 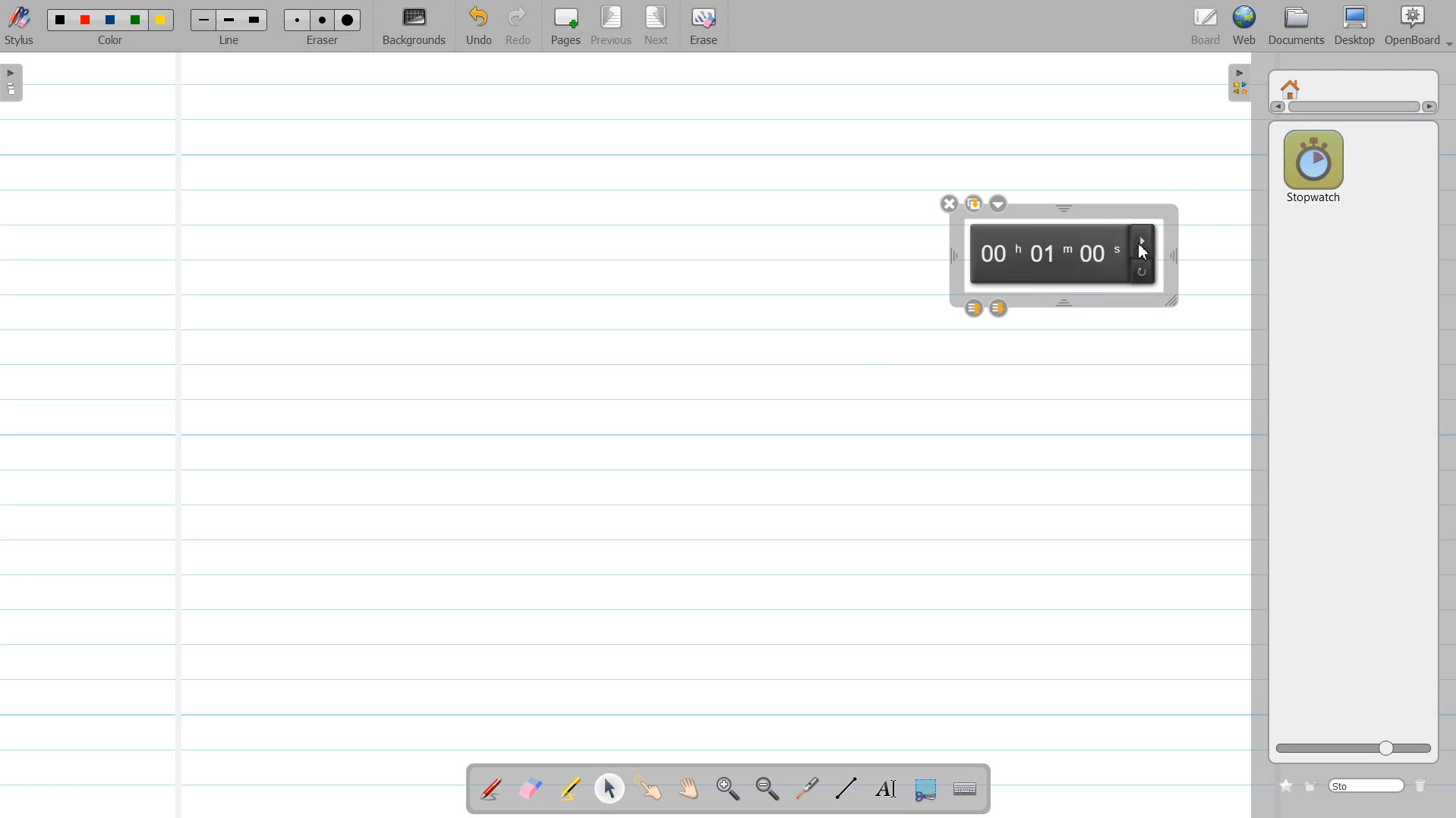 I want to click on Stop watch, so click(x=1313, y=162).